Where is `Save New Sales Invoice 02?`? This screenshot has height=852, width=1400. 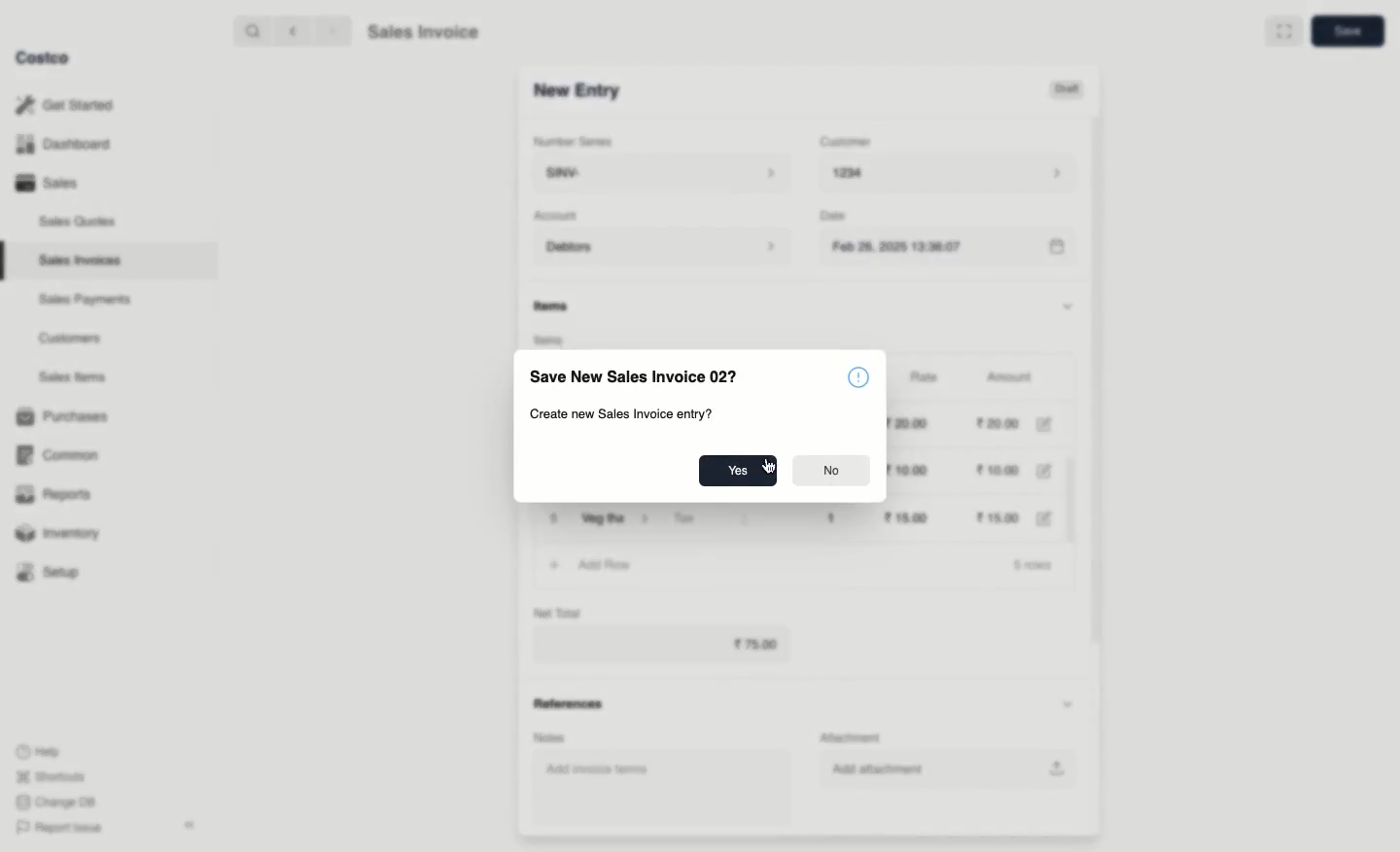
Save New Sales Invoice 02? is located at coordinates (636, 375).